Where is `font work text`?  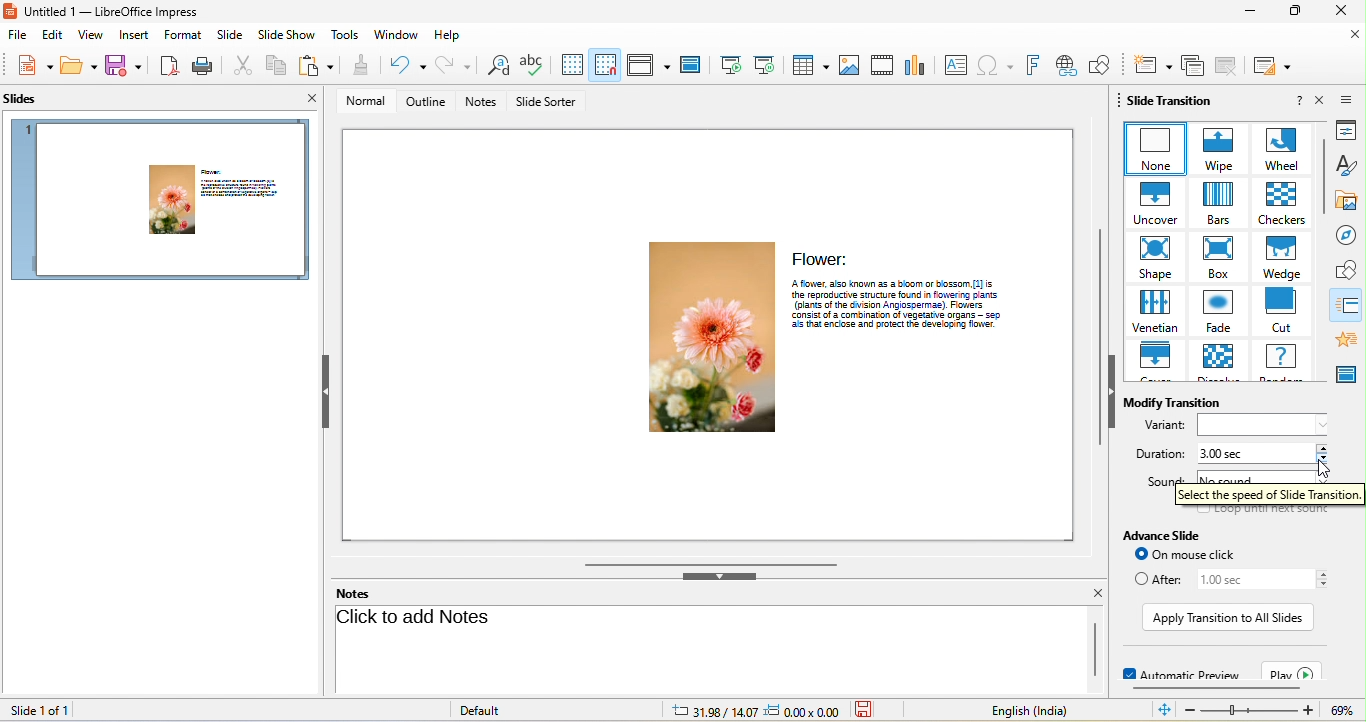
font work text is located at coordinates (1034, 64).